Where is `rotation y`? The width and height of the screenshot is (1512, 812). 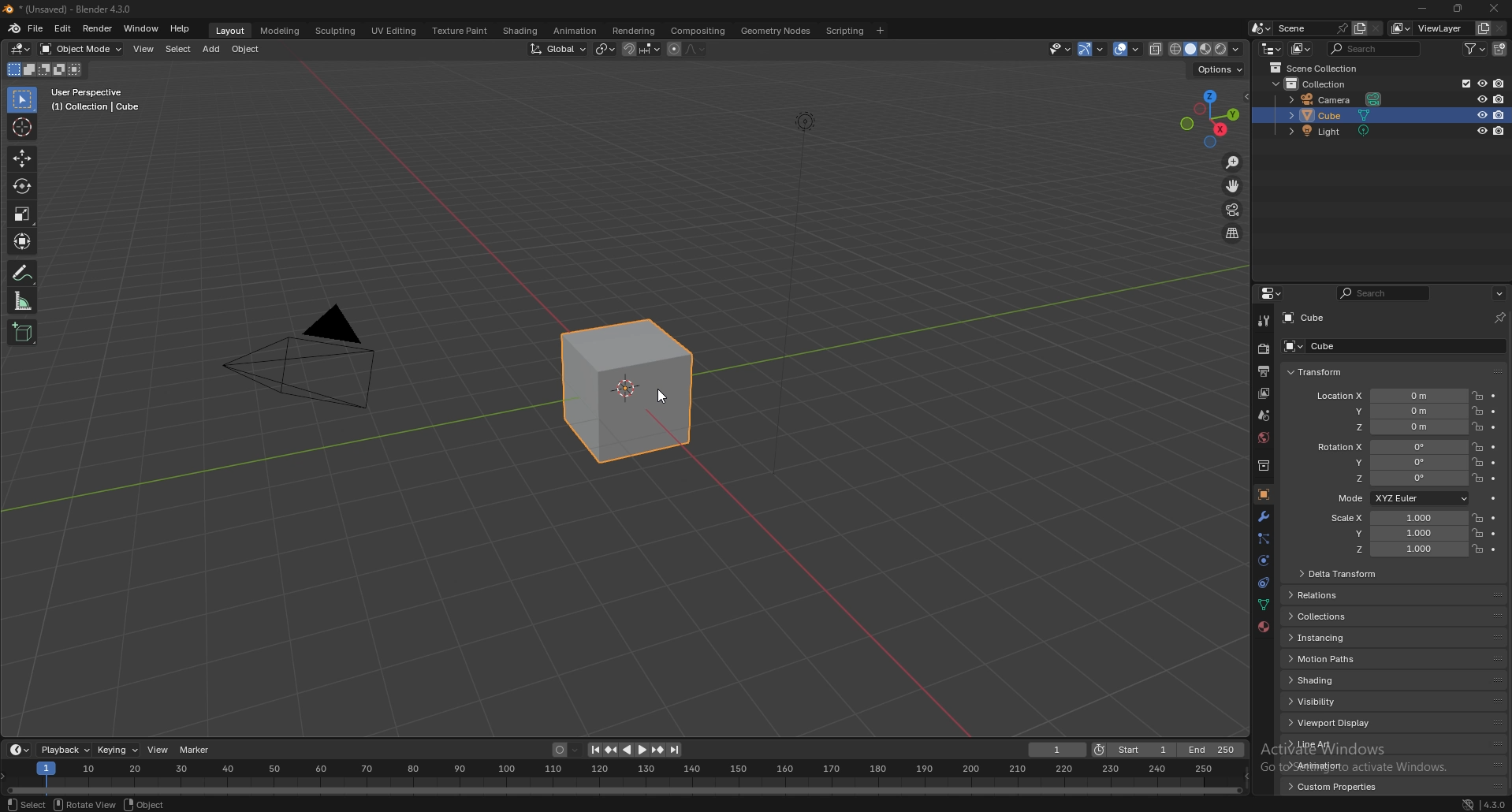
rotation y is located at coordinates (1390, 464).